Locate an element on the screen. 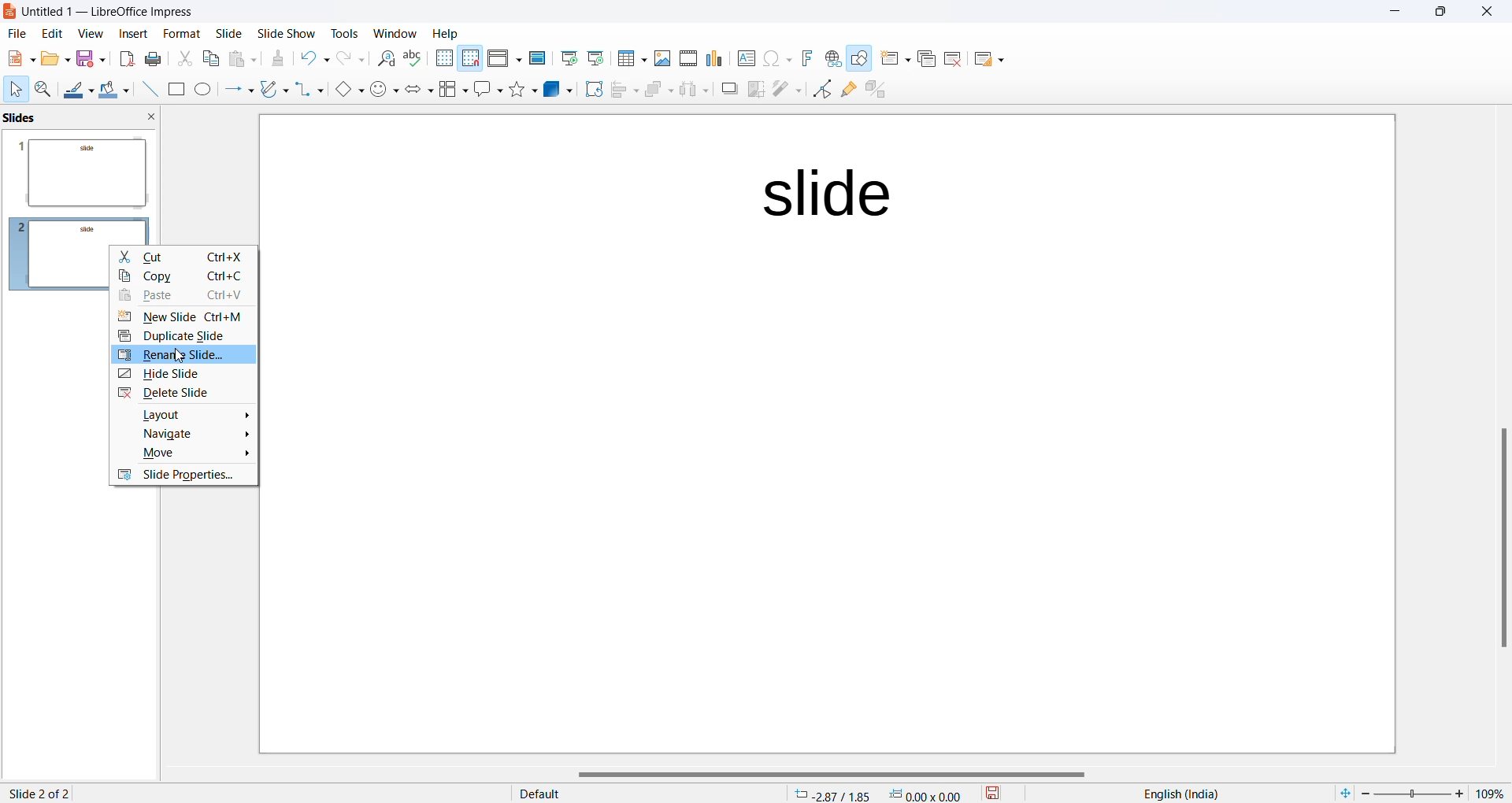 This screenshot has width=1512, height=803. connectors is located at coordinates (306, 90).